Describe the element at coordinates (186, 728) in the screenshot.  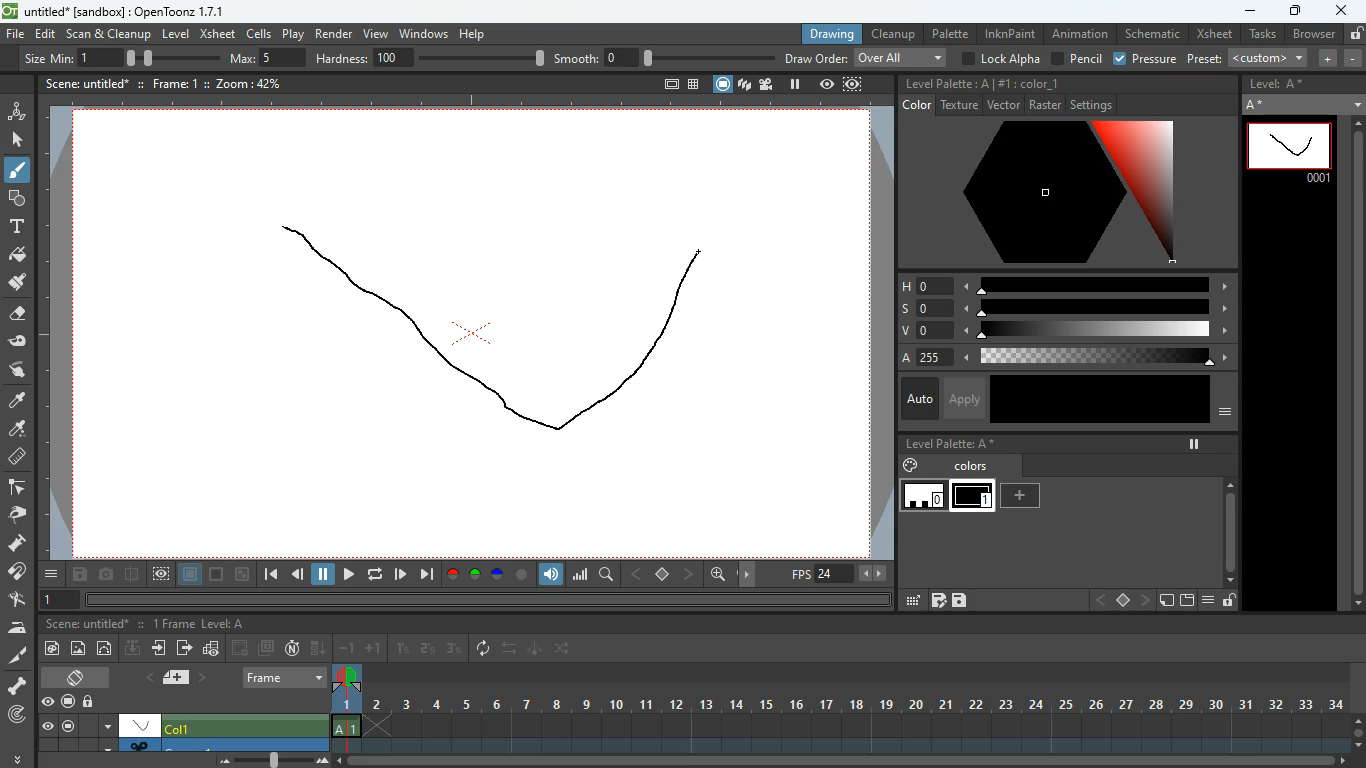
I see `Col1` at that location.